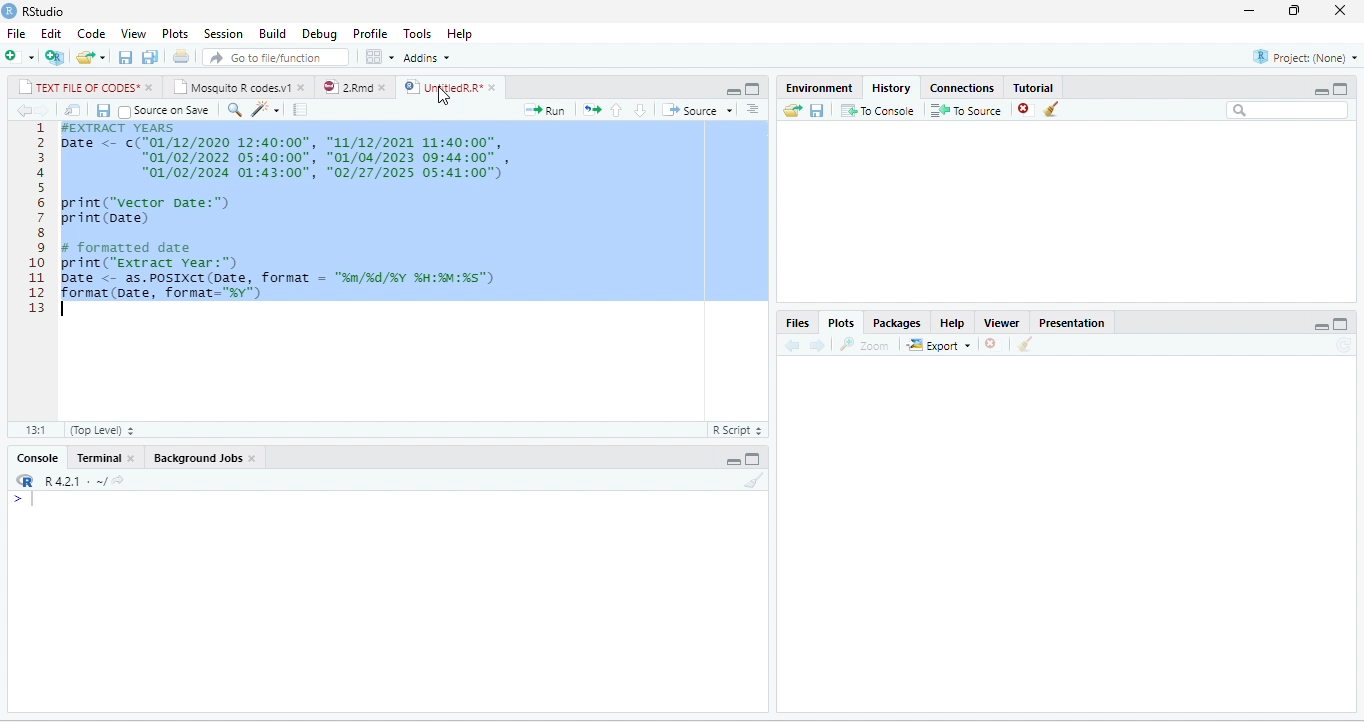  Describe the element at coordinates (300, 109) in the screenshot. I see `compile report` at that location.